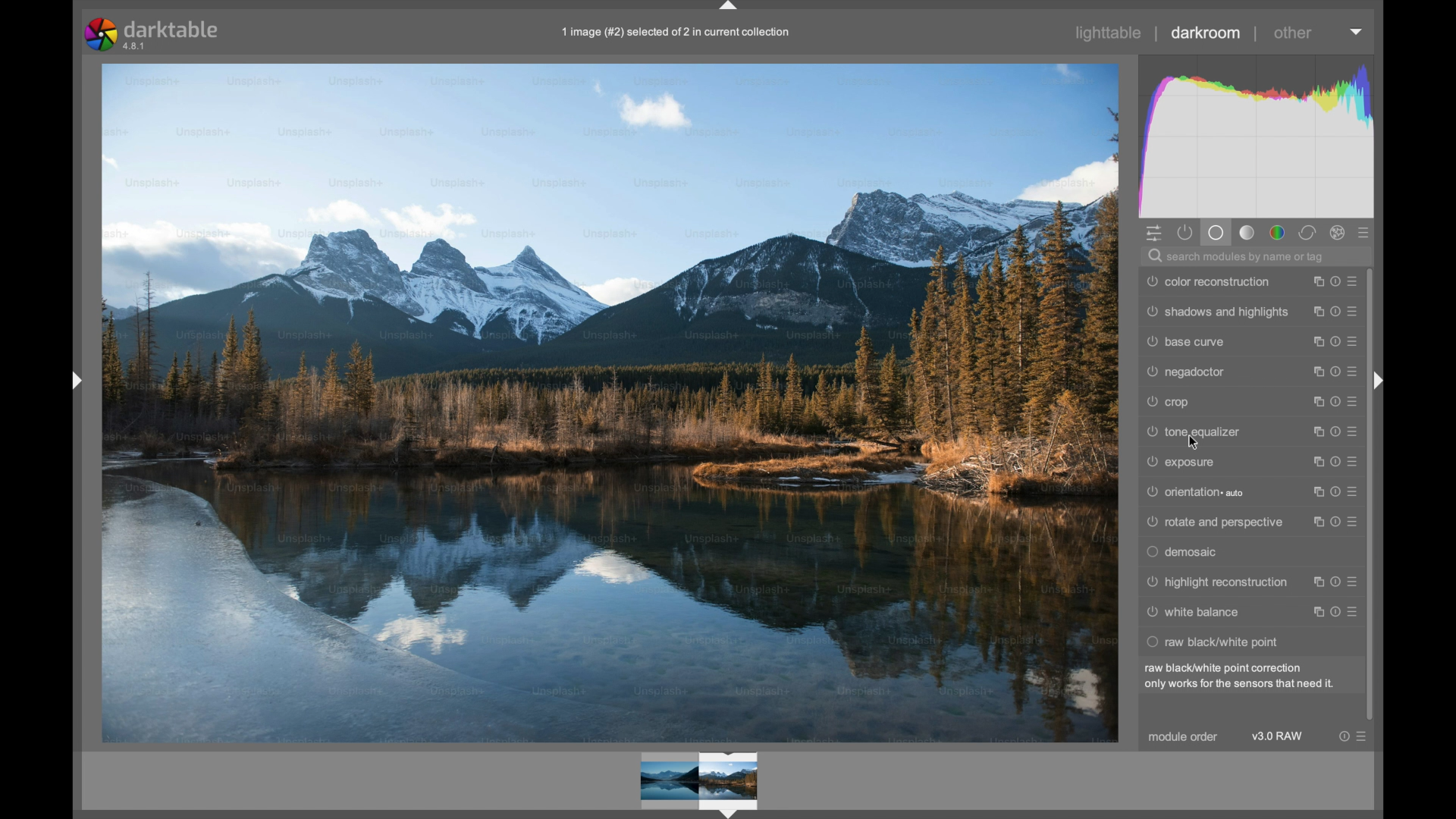  I want to click on demosaic, so click(1185, 552).